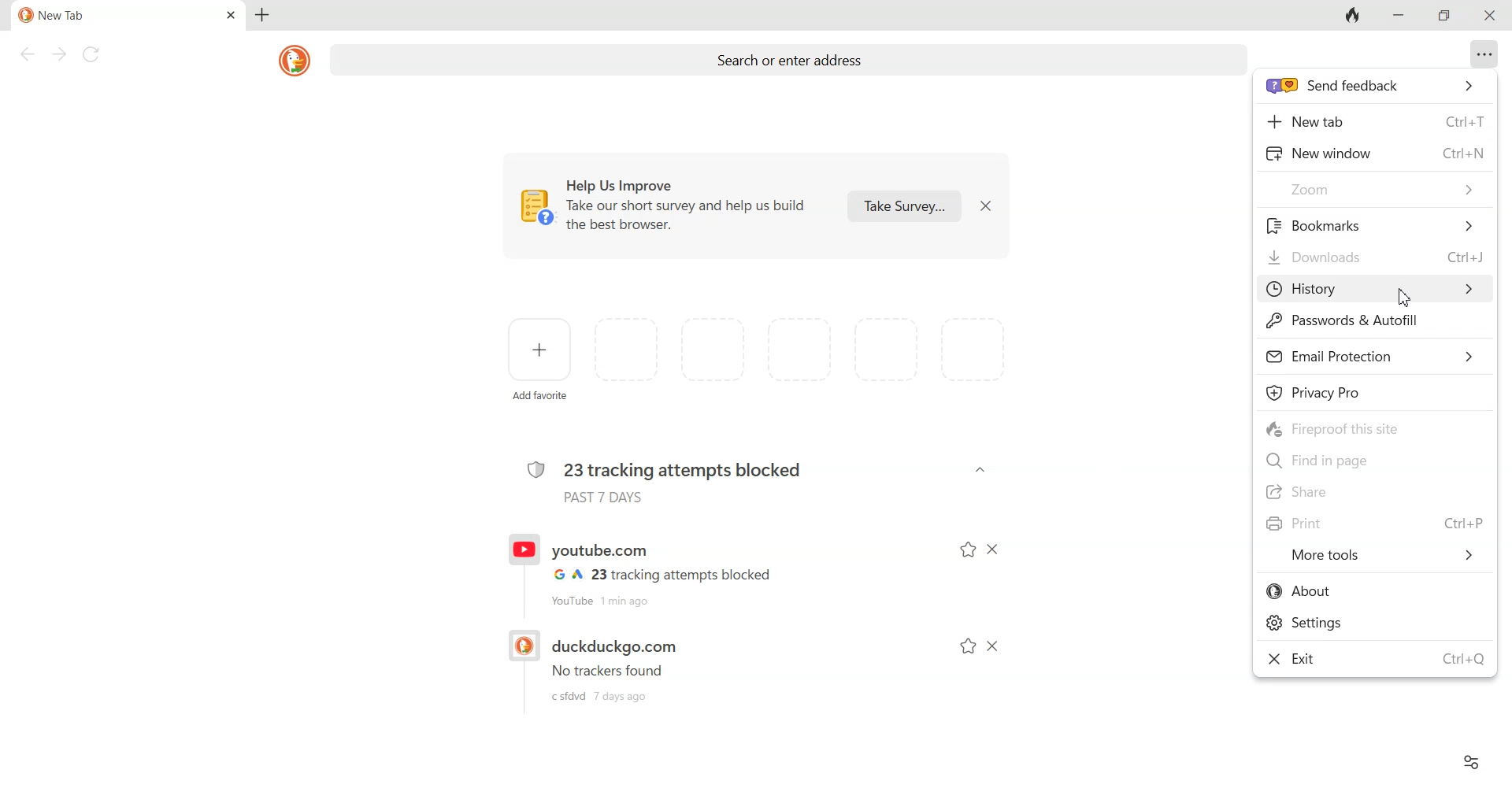  I want to click on Reload, so click(93, 54).